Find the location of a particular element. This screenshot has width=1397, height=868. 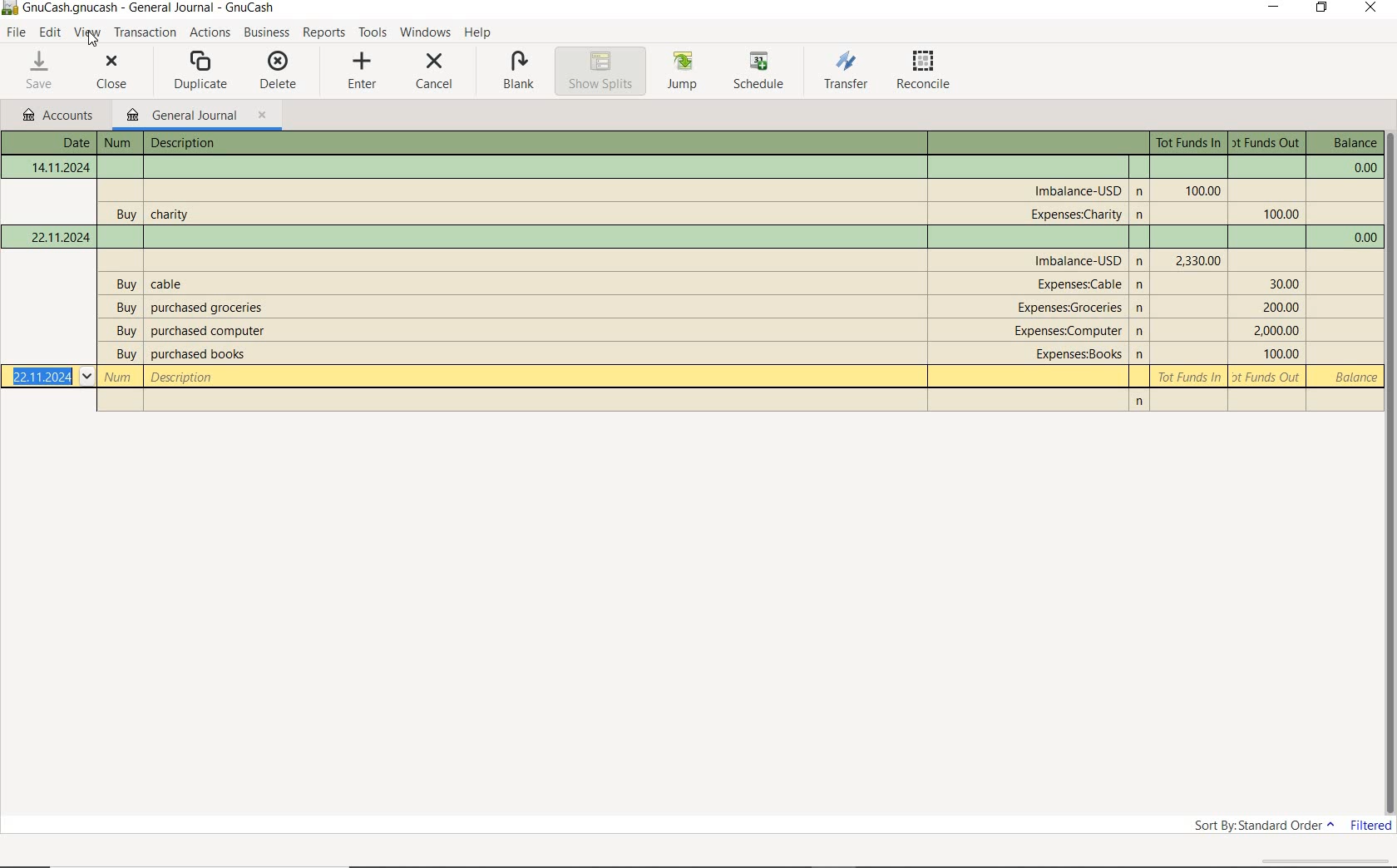

n is located at coordinates (1142, 330).